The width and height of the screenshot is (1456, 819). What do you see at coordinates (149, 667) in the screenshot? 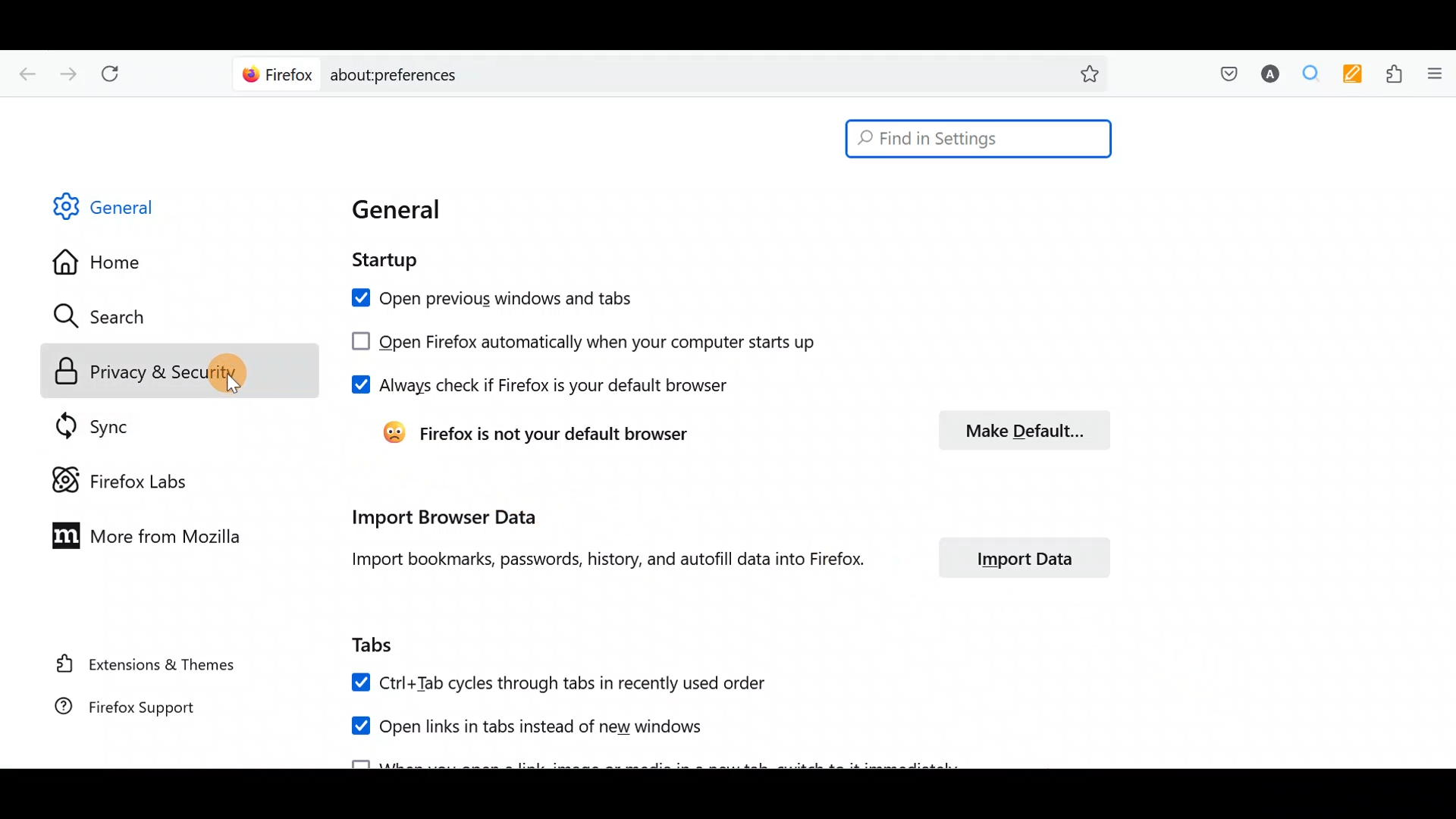
I see `Extension & themes` at bounding box center [149, 667].